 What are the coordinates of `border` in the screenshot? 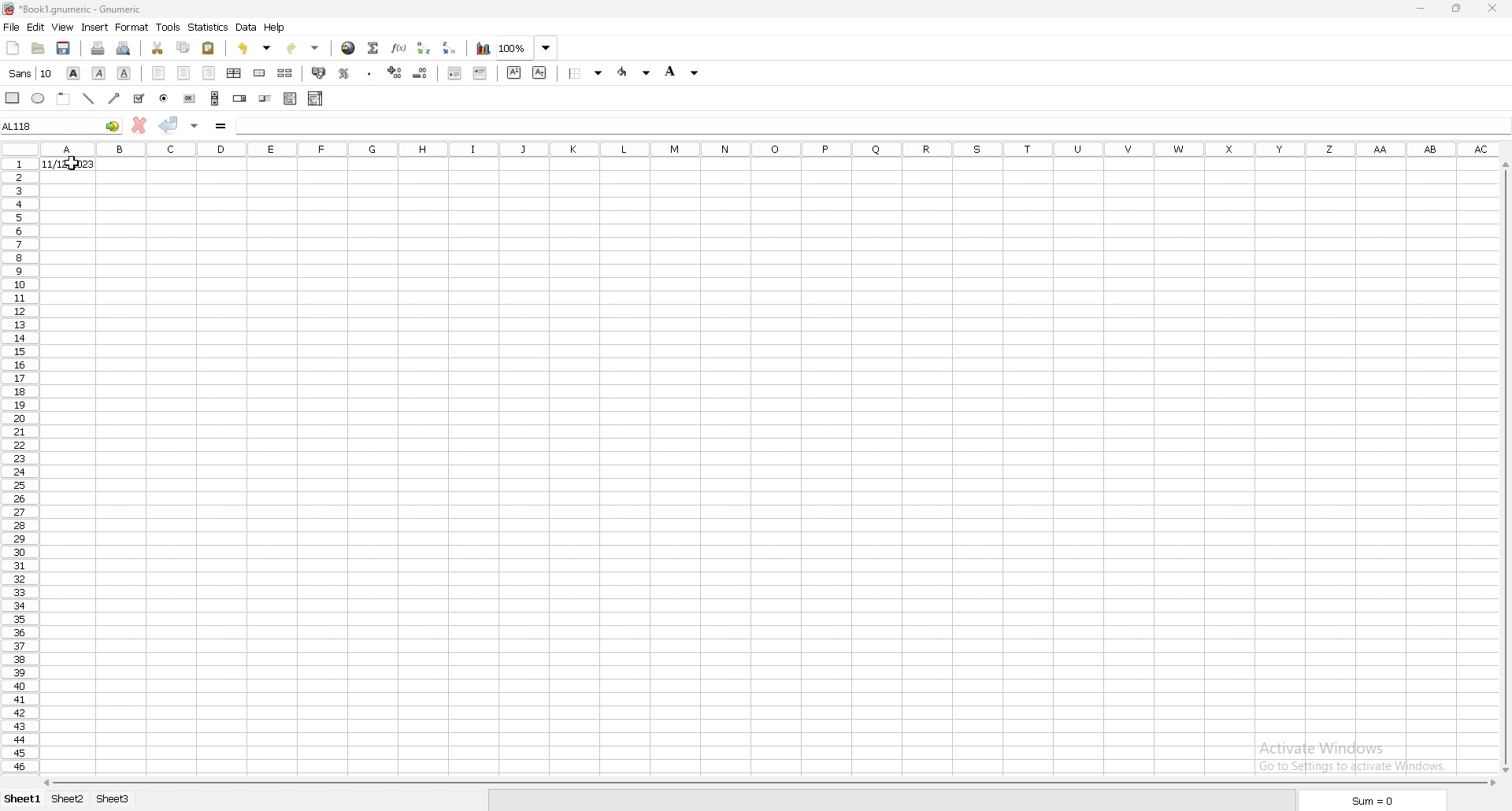 It's located at (586, 74).